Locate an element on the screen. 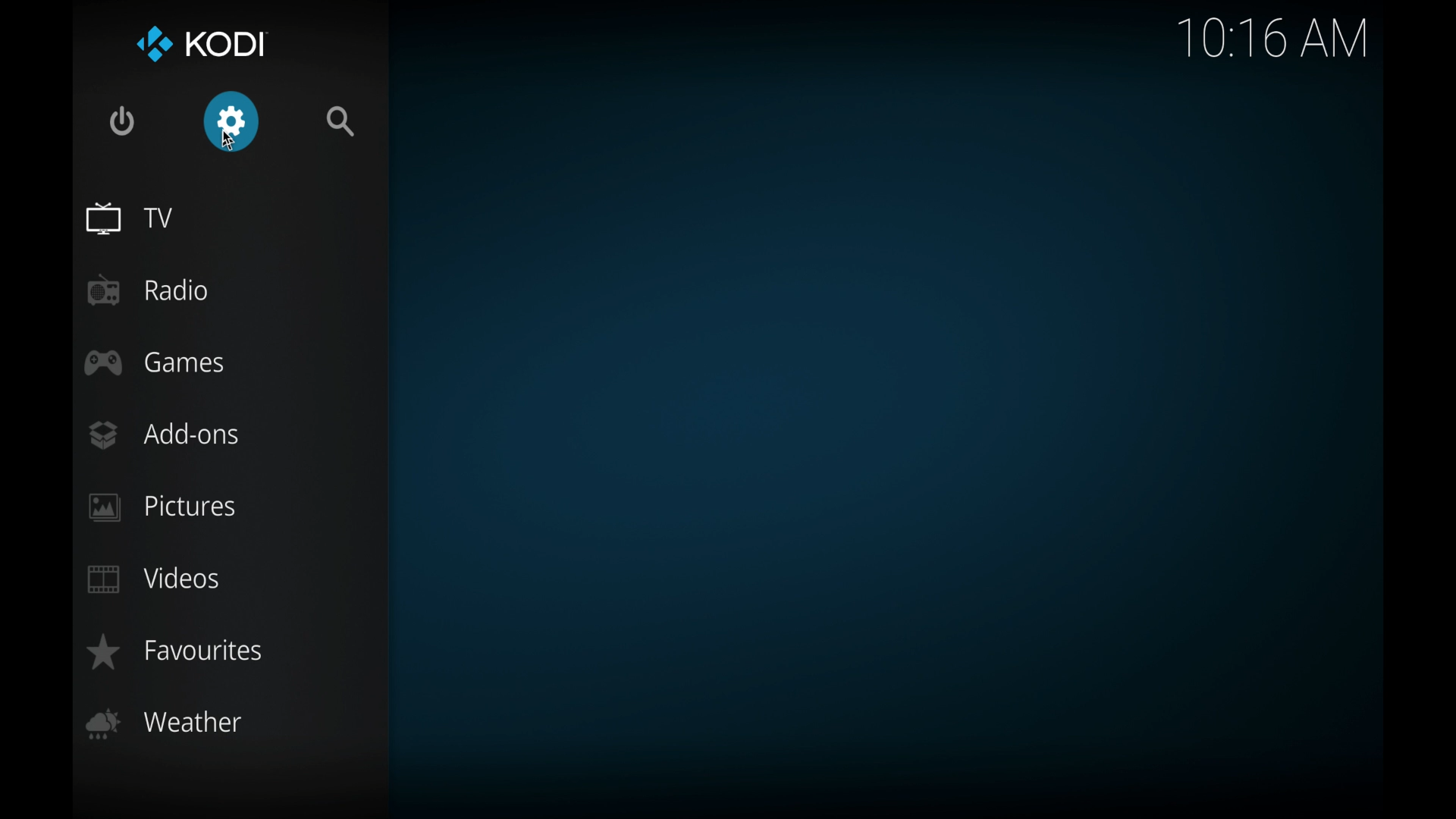  settings is located at coordinates (231, 122).